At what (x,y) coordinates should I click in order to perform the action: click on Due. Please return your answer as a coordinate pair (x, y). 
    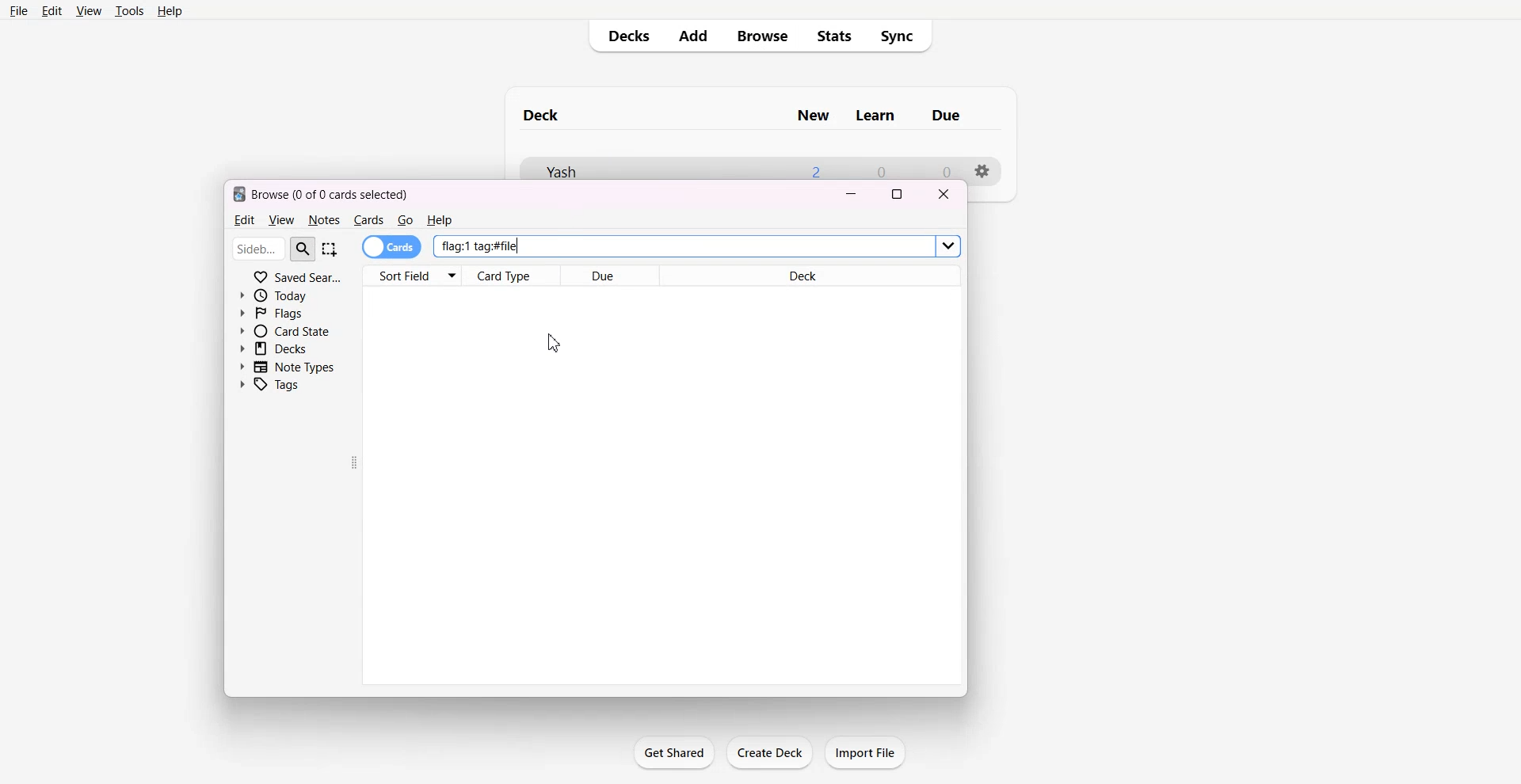
    Looking at the image, I should click on (955, 116).